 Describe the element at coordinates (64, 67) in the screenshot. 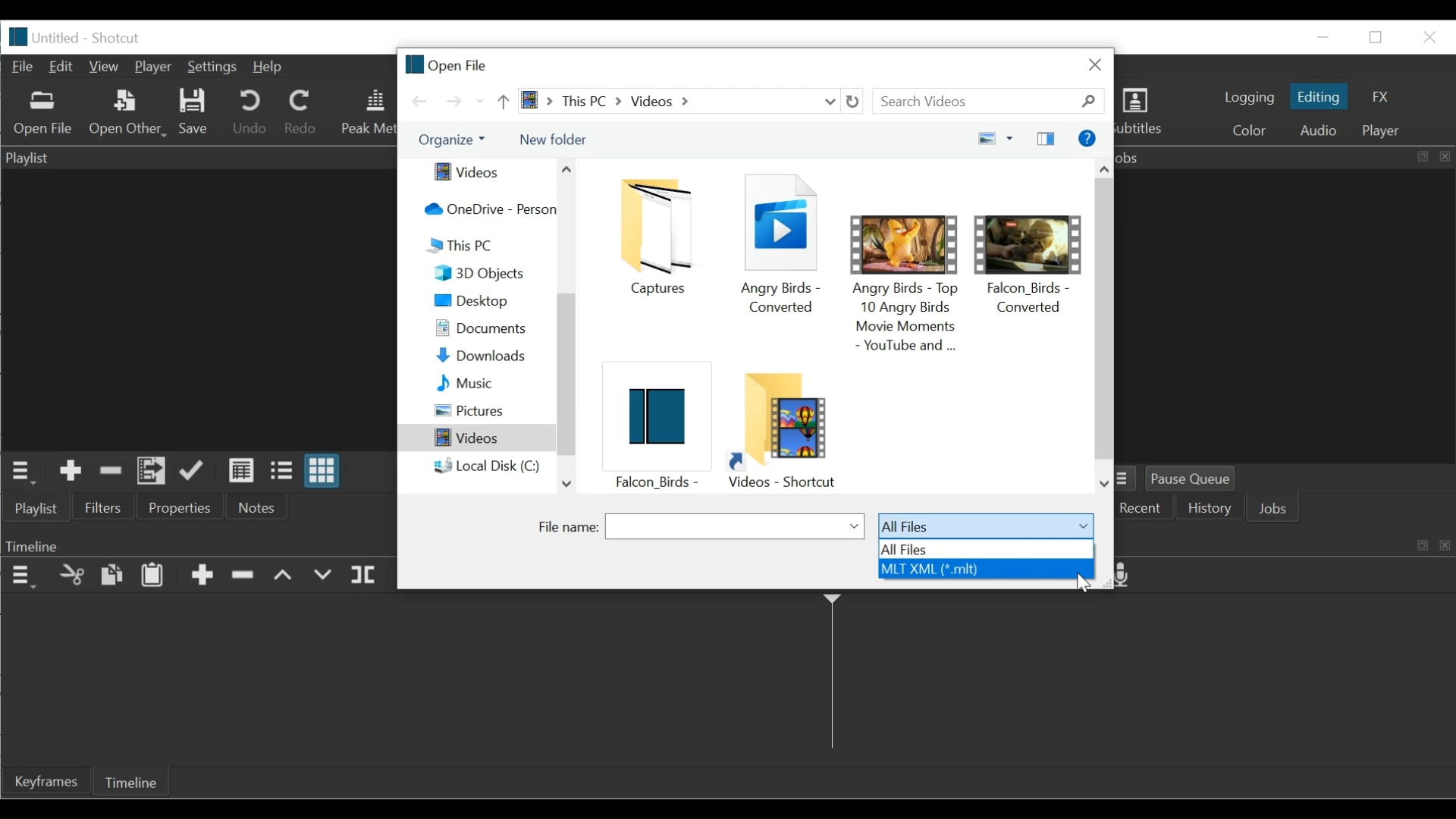

I see `Edit` at that location.